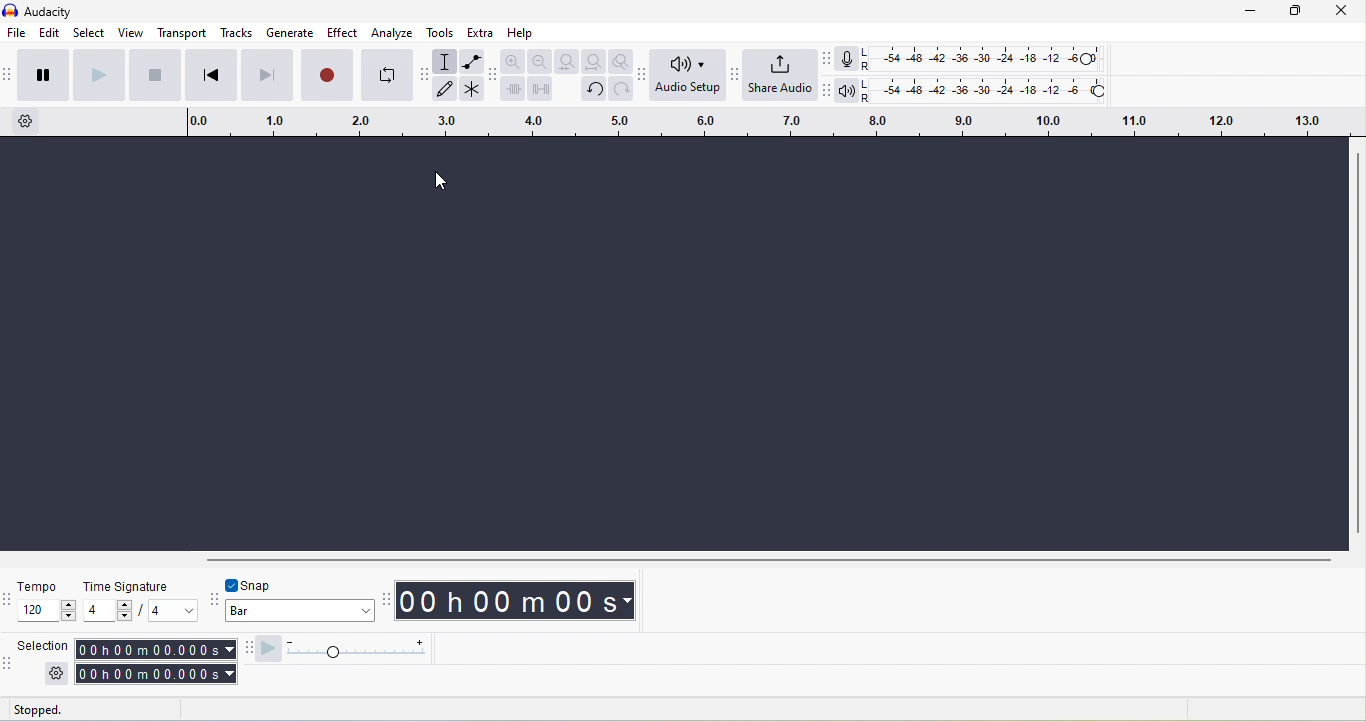 Image resolution: width=1366 pixels, height=722 pixels. I want to click on record meter, so click(849, 59).